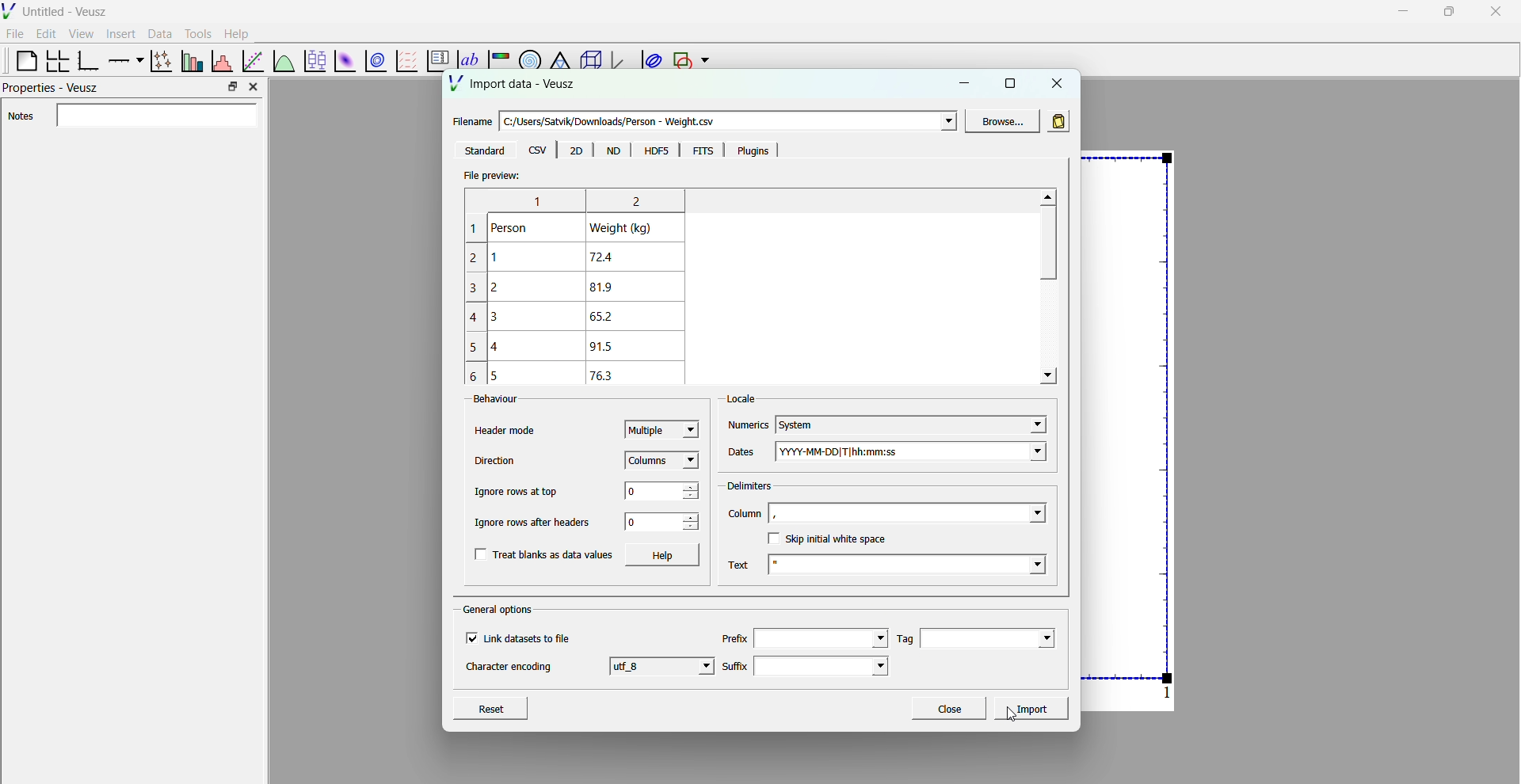 The width and height of the screenshot is (1521, 784). What do you see at coordinates (1034, 707) in the screenshot?
I see `Import` at bounding box center [1034, 707].